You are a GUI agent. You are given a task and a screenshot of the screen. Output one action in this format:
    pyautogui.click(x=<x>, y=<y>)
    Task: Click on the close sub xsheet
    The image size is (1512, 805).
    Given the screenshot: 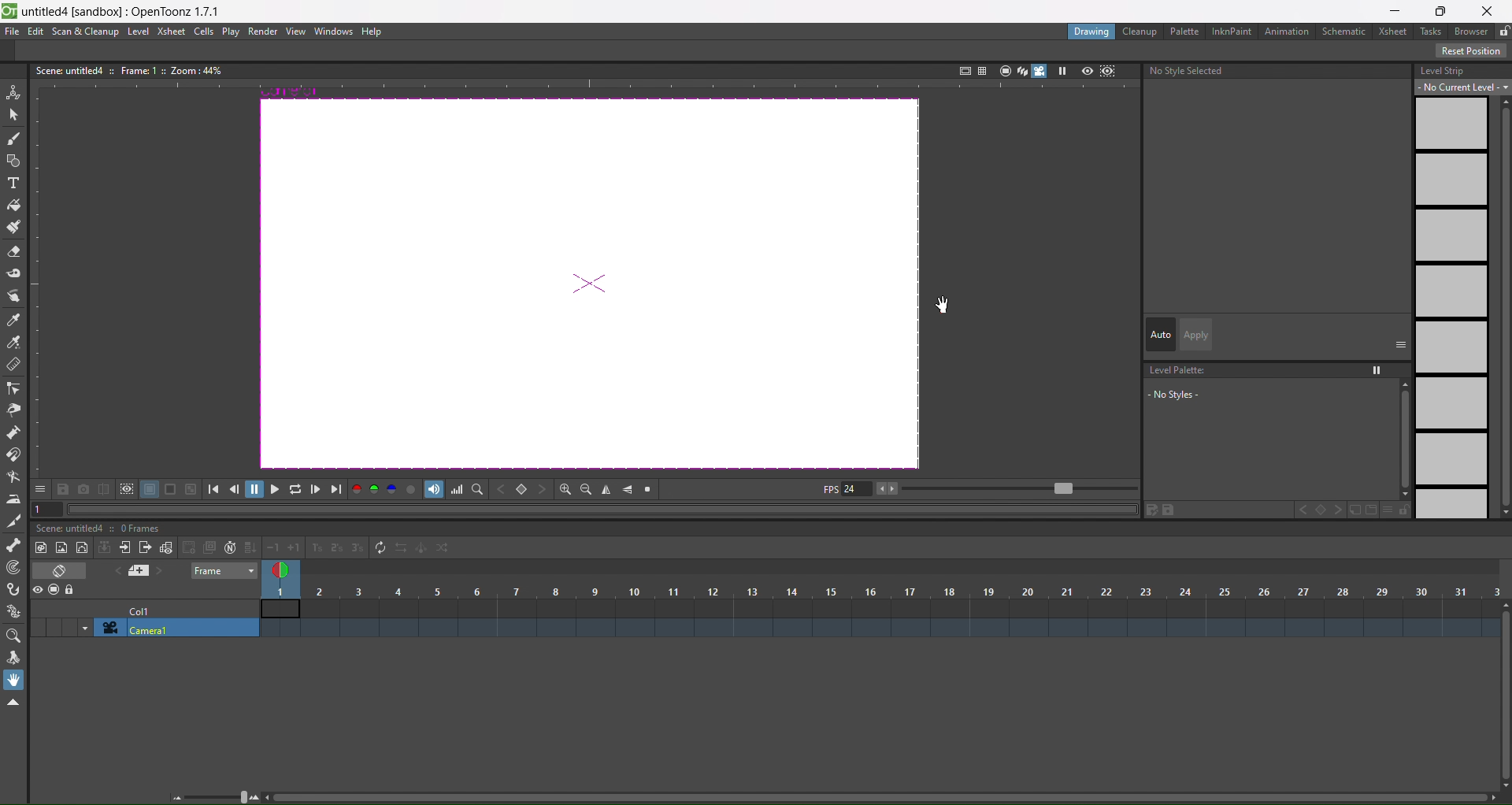 What is the action you would take?
    pyautogui.click(x=124, y=547)
    